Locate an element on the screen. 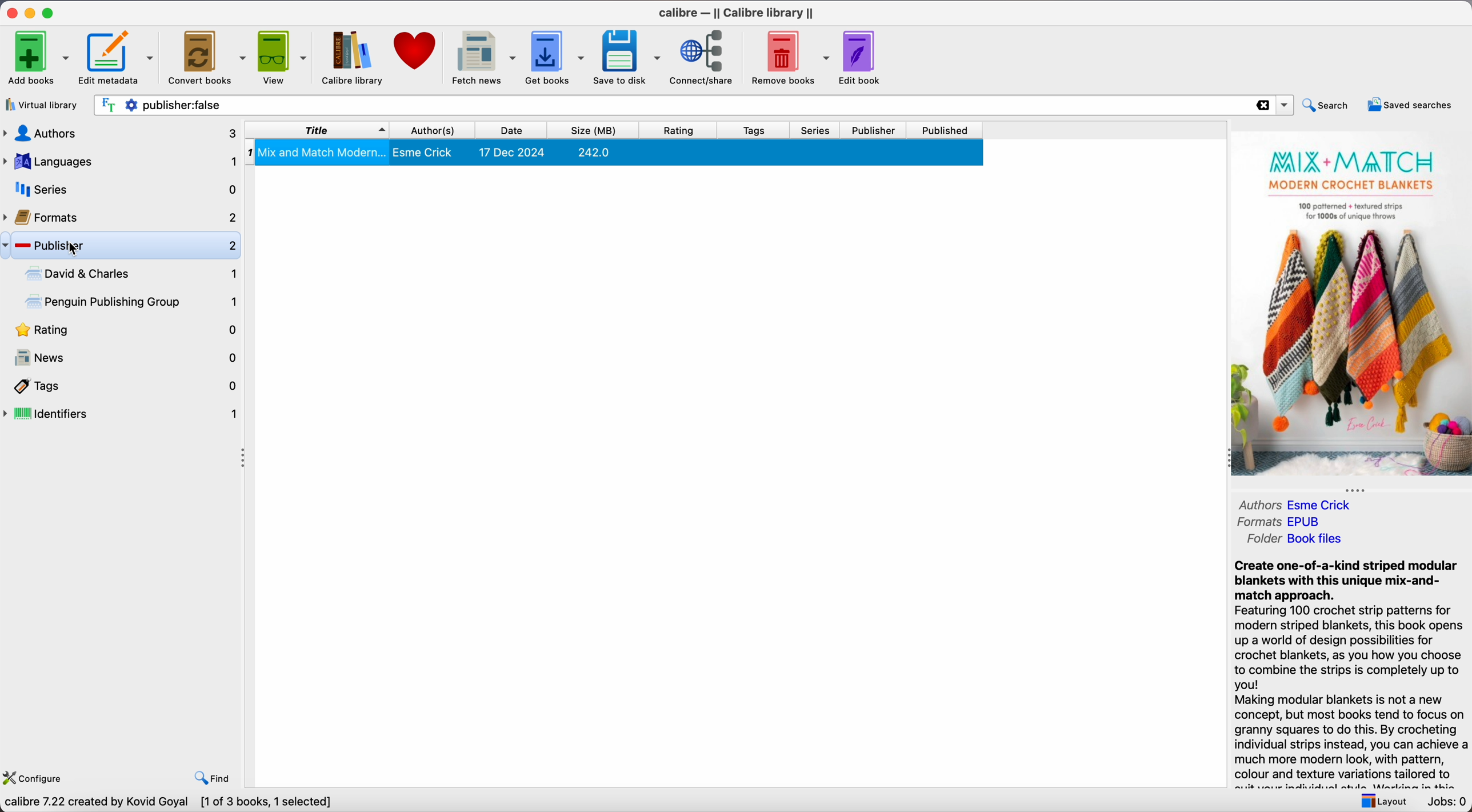 Image resolution: width=1472 pixels, height=812 pixels. donate is located at coordinates (416, 52).